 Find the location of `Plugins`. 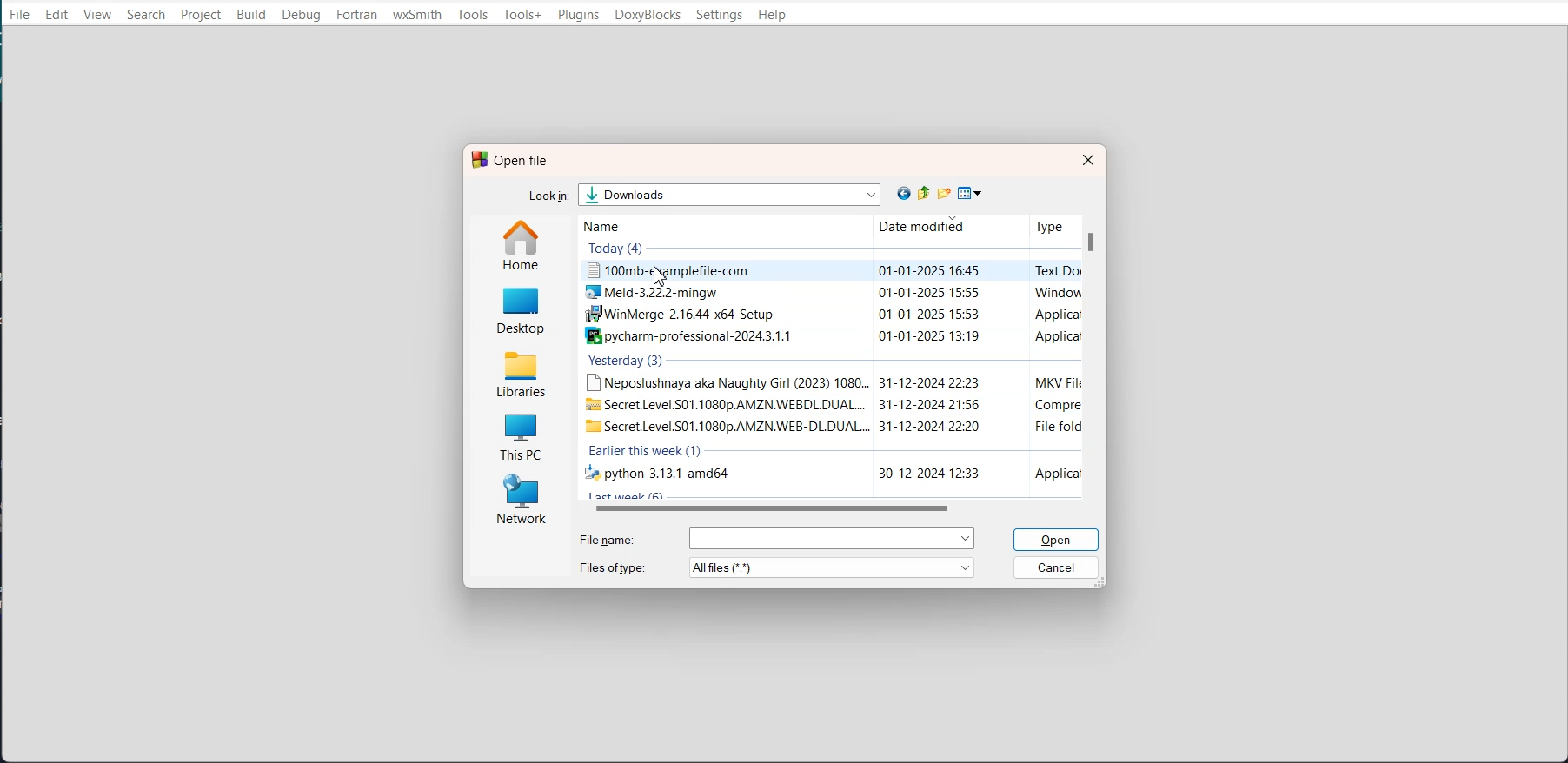

Plugins is located at coordinates (578, 15).